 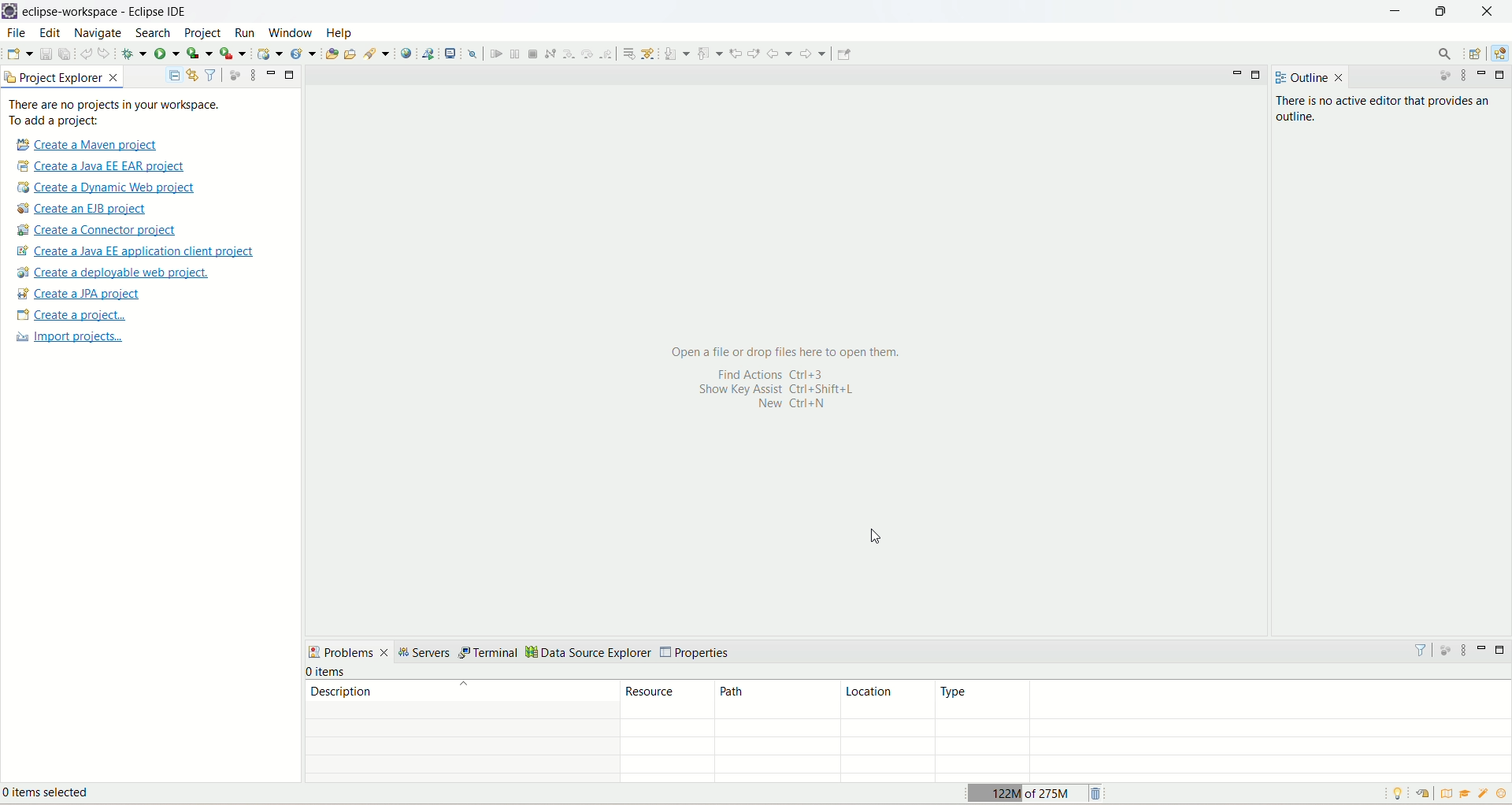 What do you see at coordinates (107, 188) in the screenshot?
I see `create a Dynamic web project` at bounding box center [107, 188].